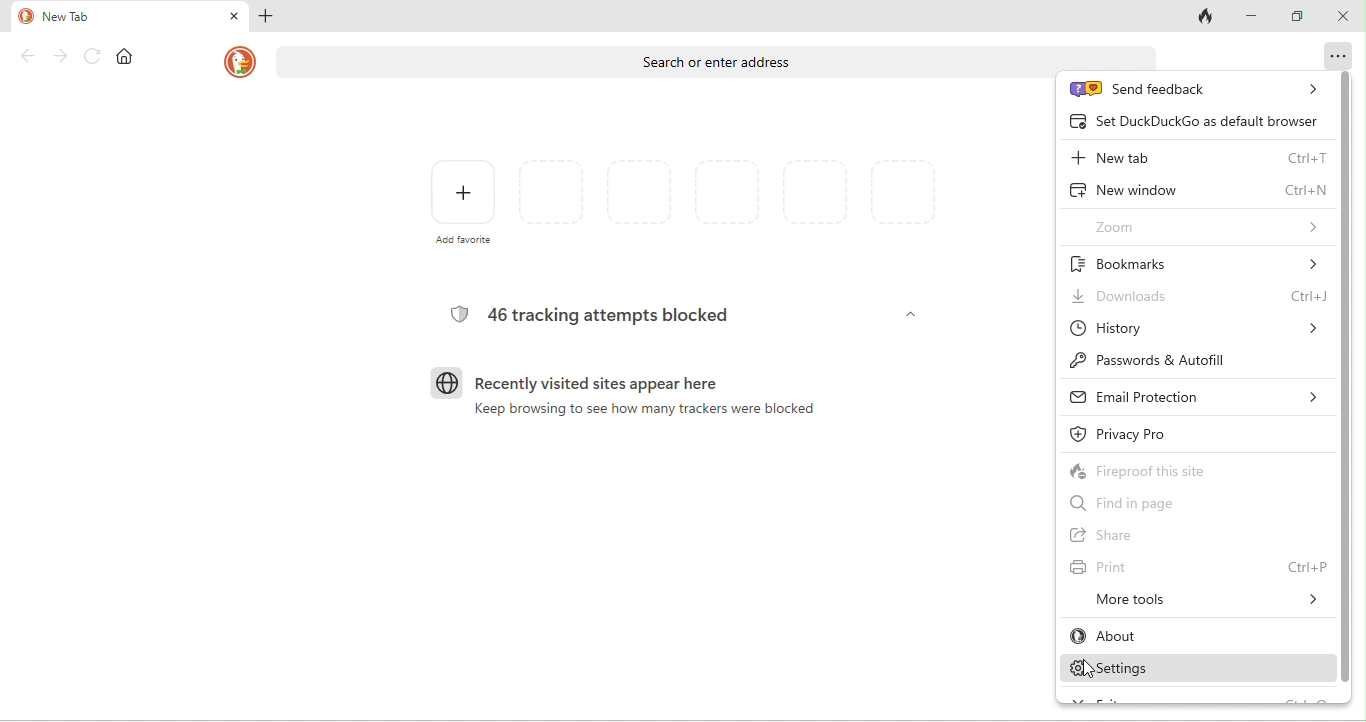 The width and height of the screenshot is (1366, 722). Describe the element at coordinates (1167, 361) in the screenshot. I see `passwords & autofill` at that location.